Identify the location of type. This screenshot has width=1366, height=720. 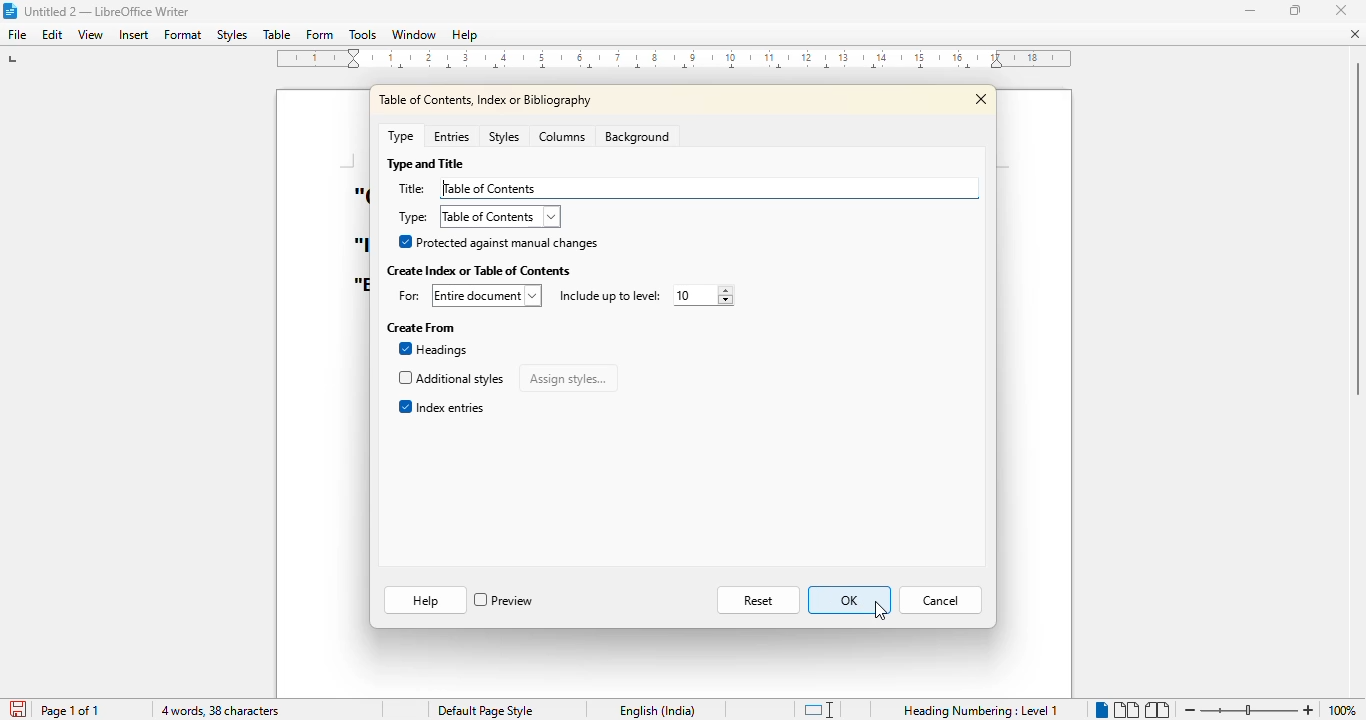
(400, 135).